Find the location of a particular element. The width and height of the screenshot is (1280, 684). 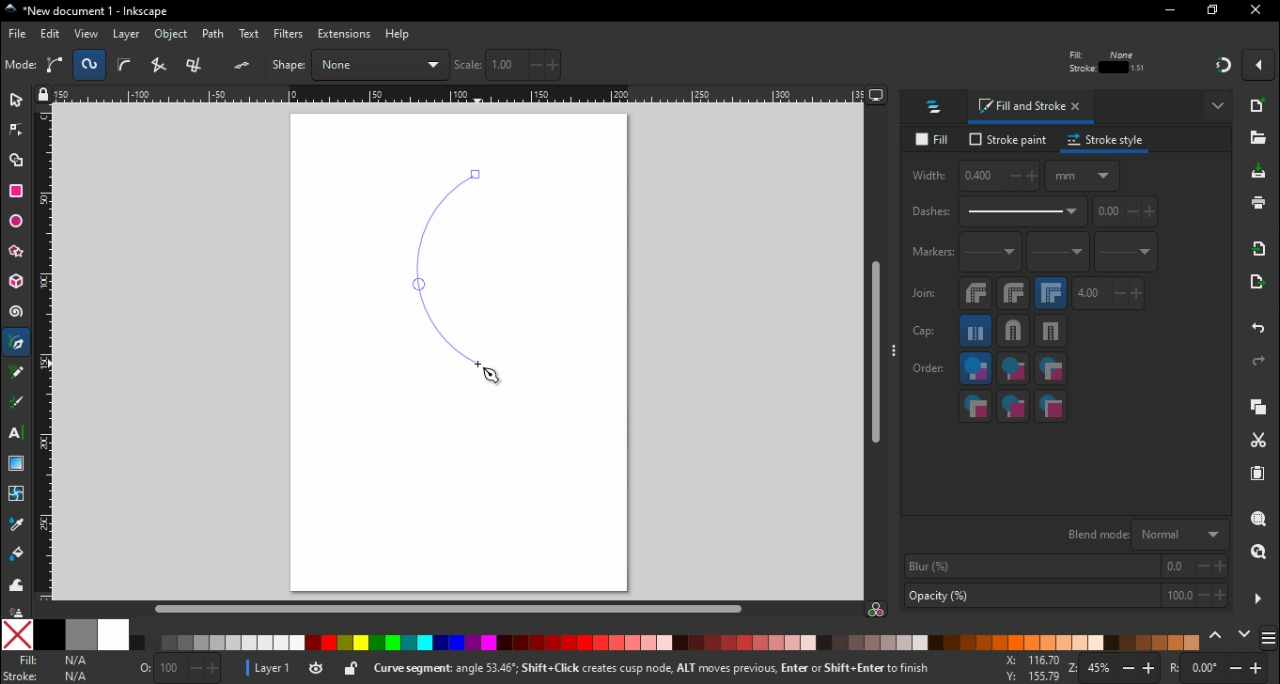

import is located at coordinates (1262, 253).